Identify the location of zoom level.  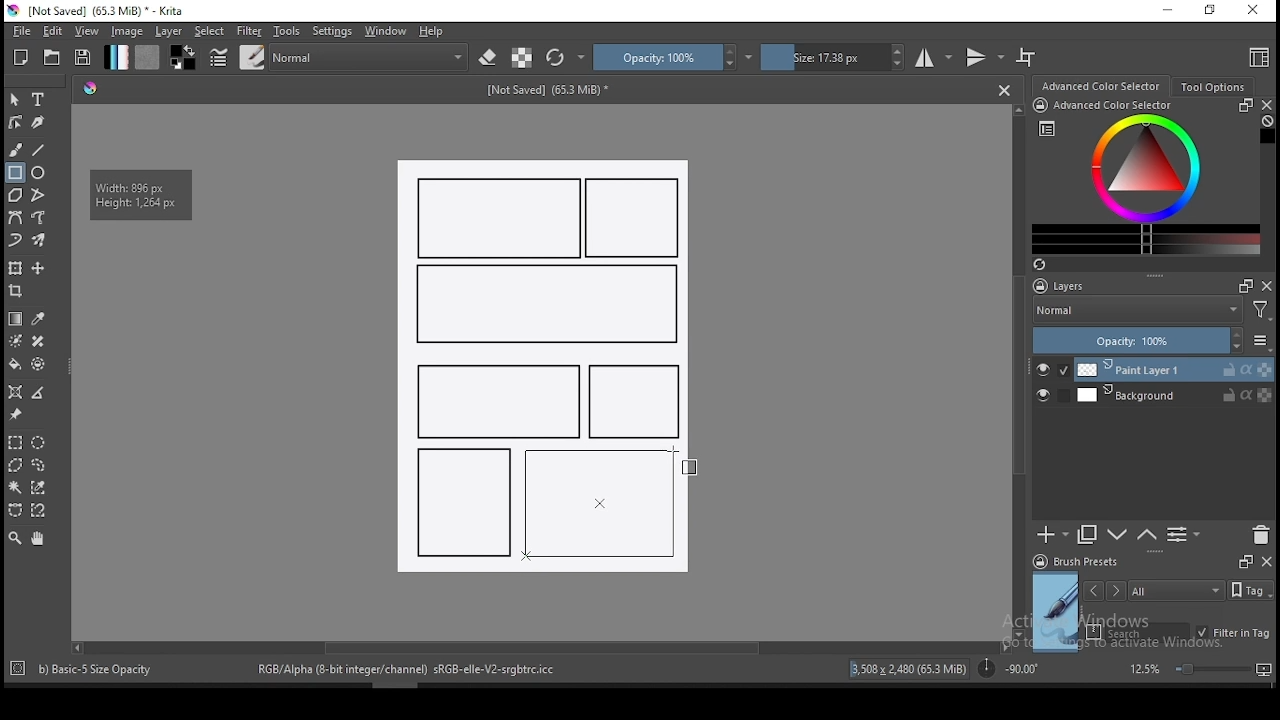
(1200, 668).